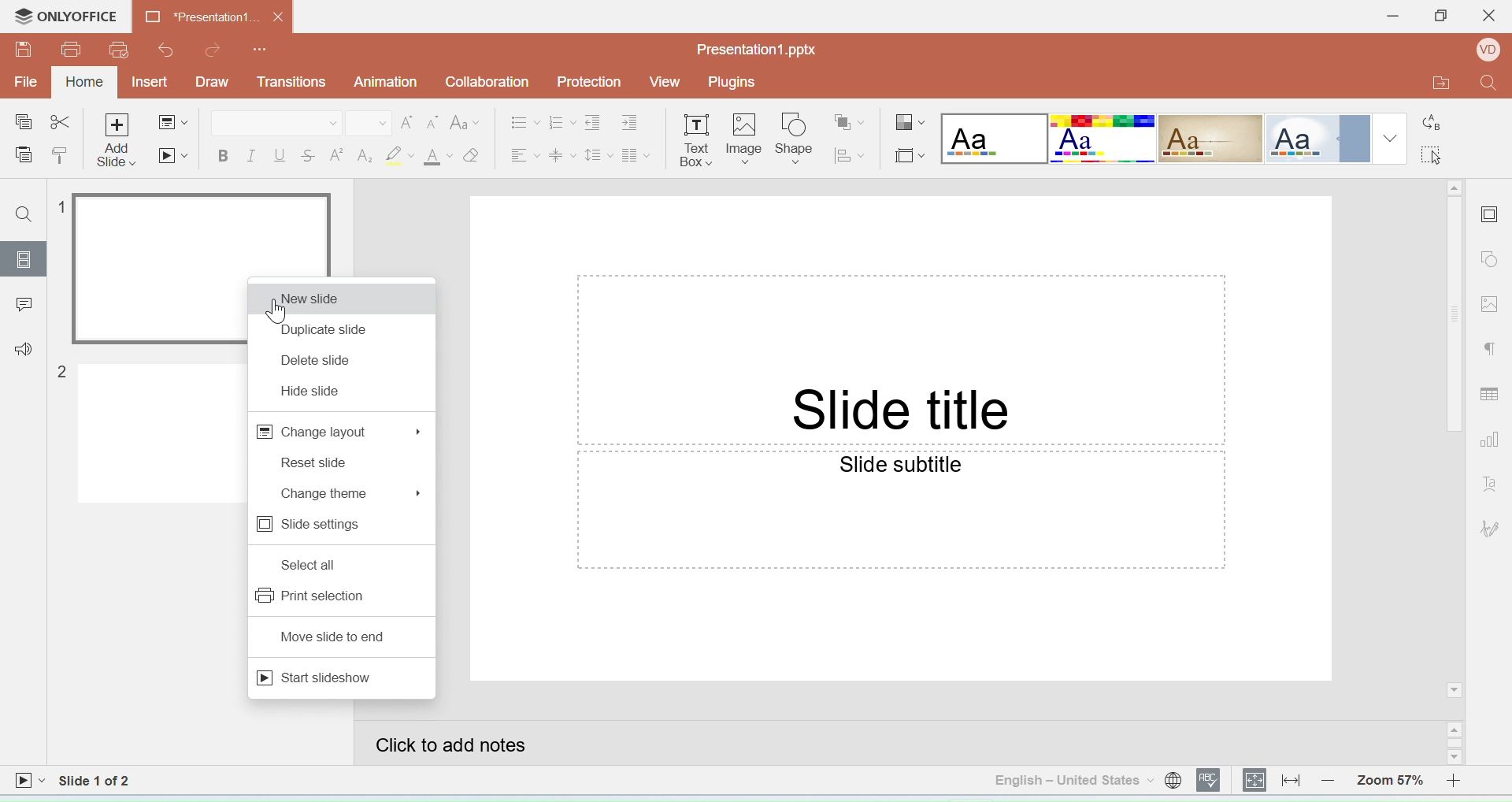 The height and width of the screenshot is (802, 1512). I want to click on Zoom in, so click(1460, 779).